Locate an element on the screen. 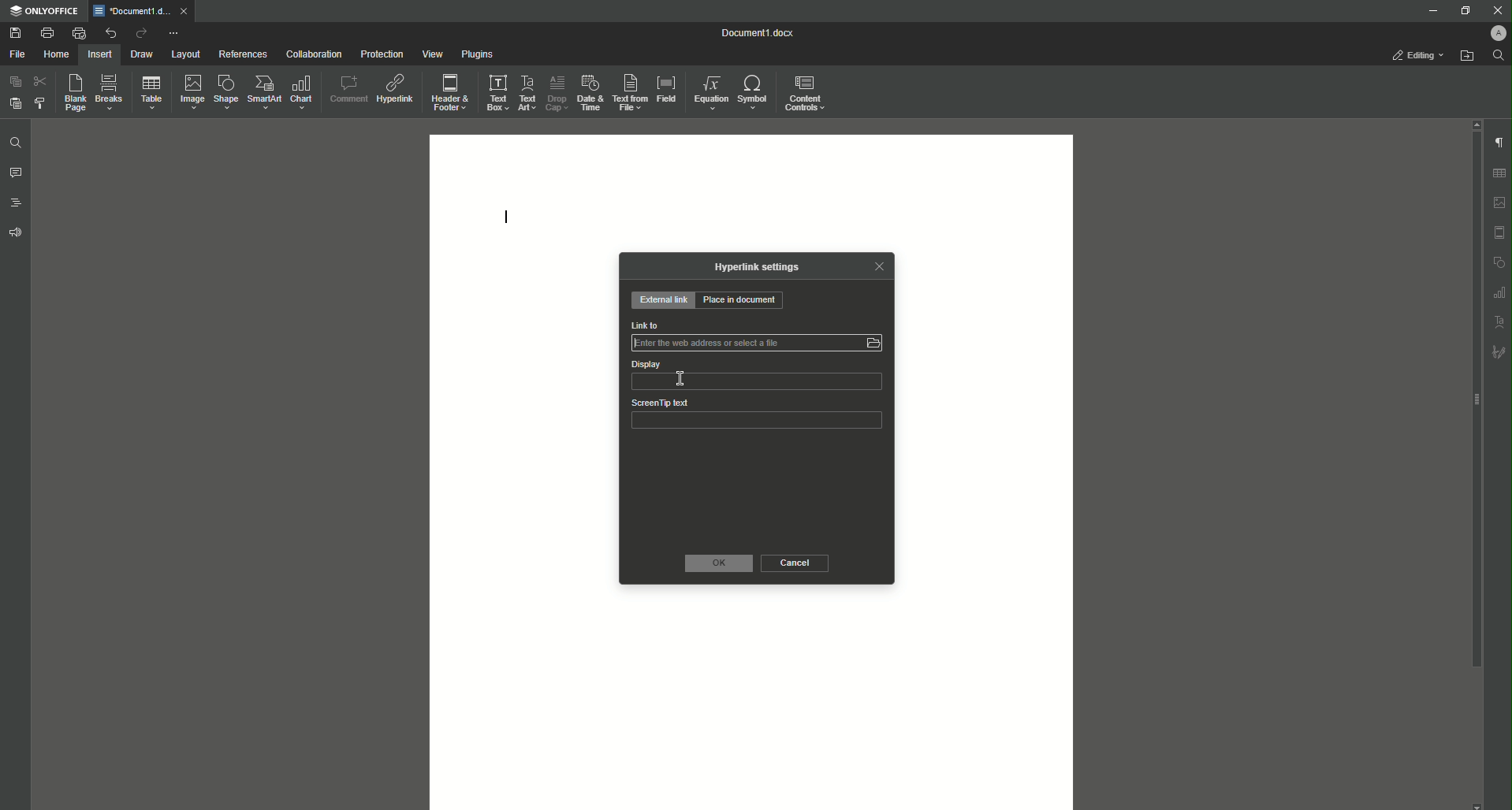  File is located at coordinates (17, 54).